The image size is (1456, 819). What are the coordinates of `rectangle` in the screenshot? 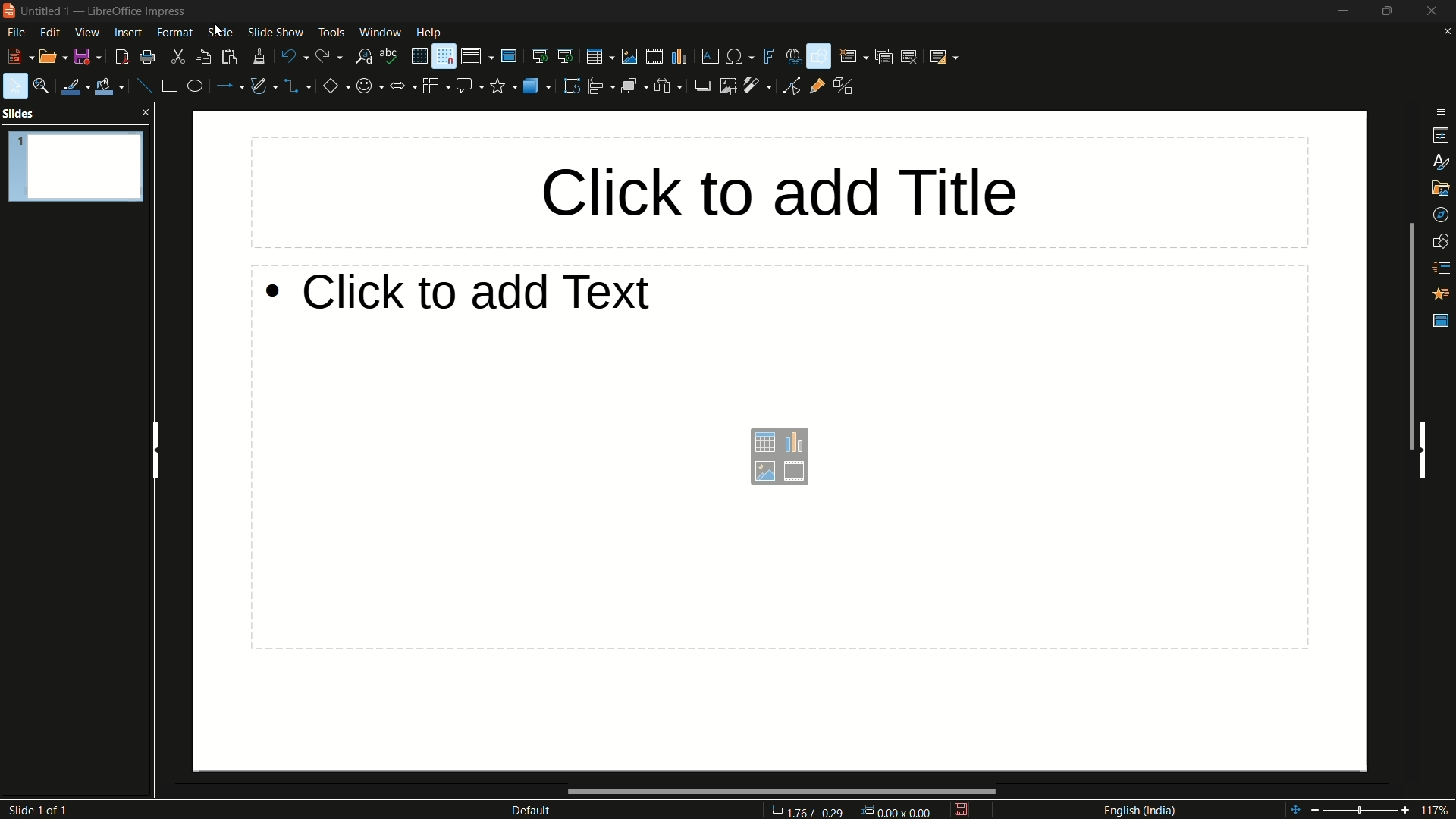 It's located at (167, 86).